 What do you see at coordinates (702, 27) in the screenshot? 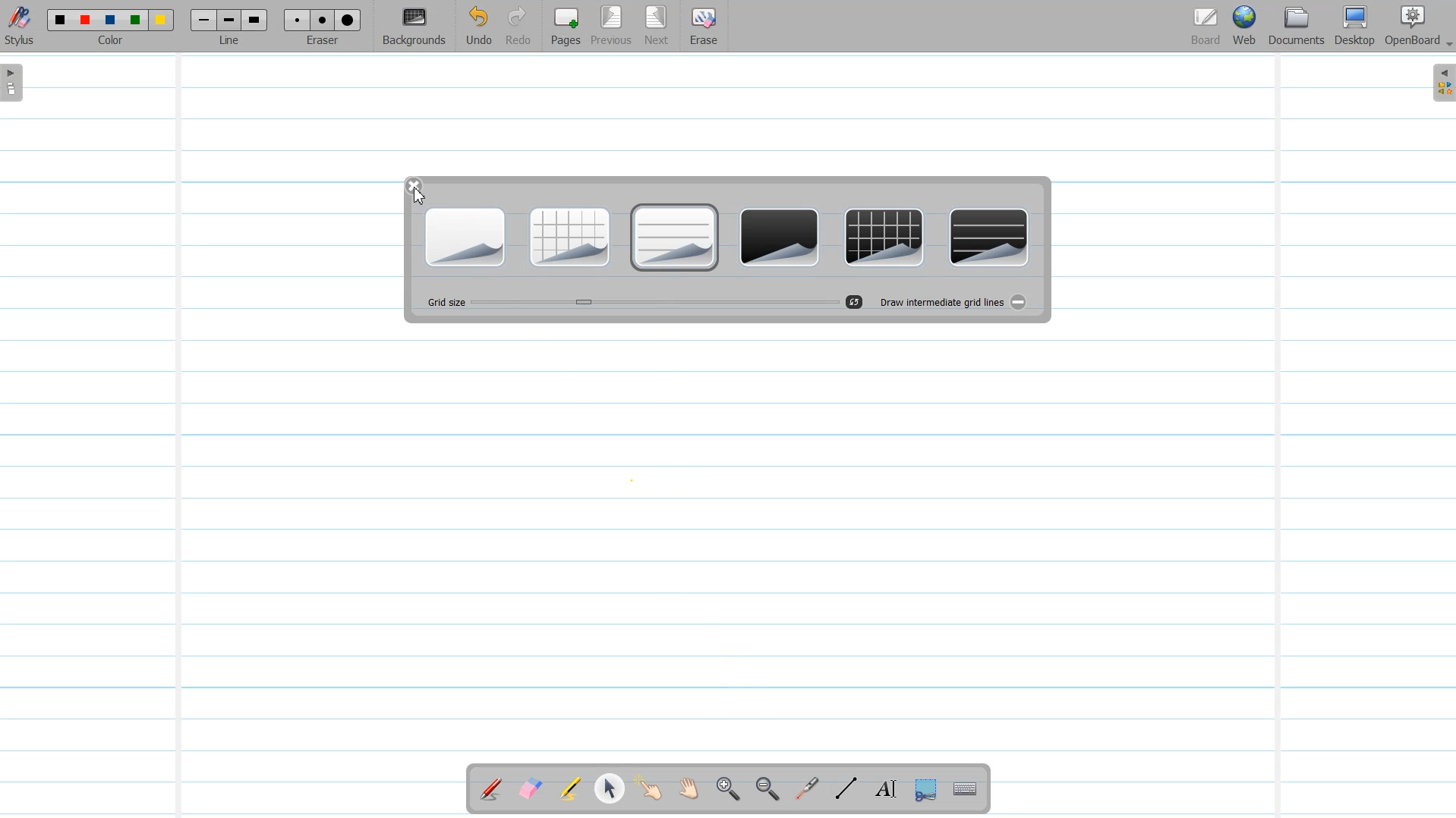
I see `Erase` at bounding box center [702, 27].